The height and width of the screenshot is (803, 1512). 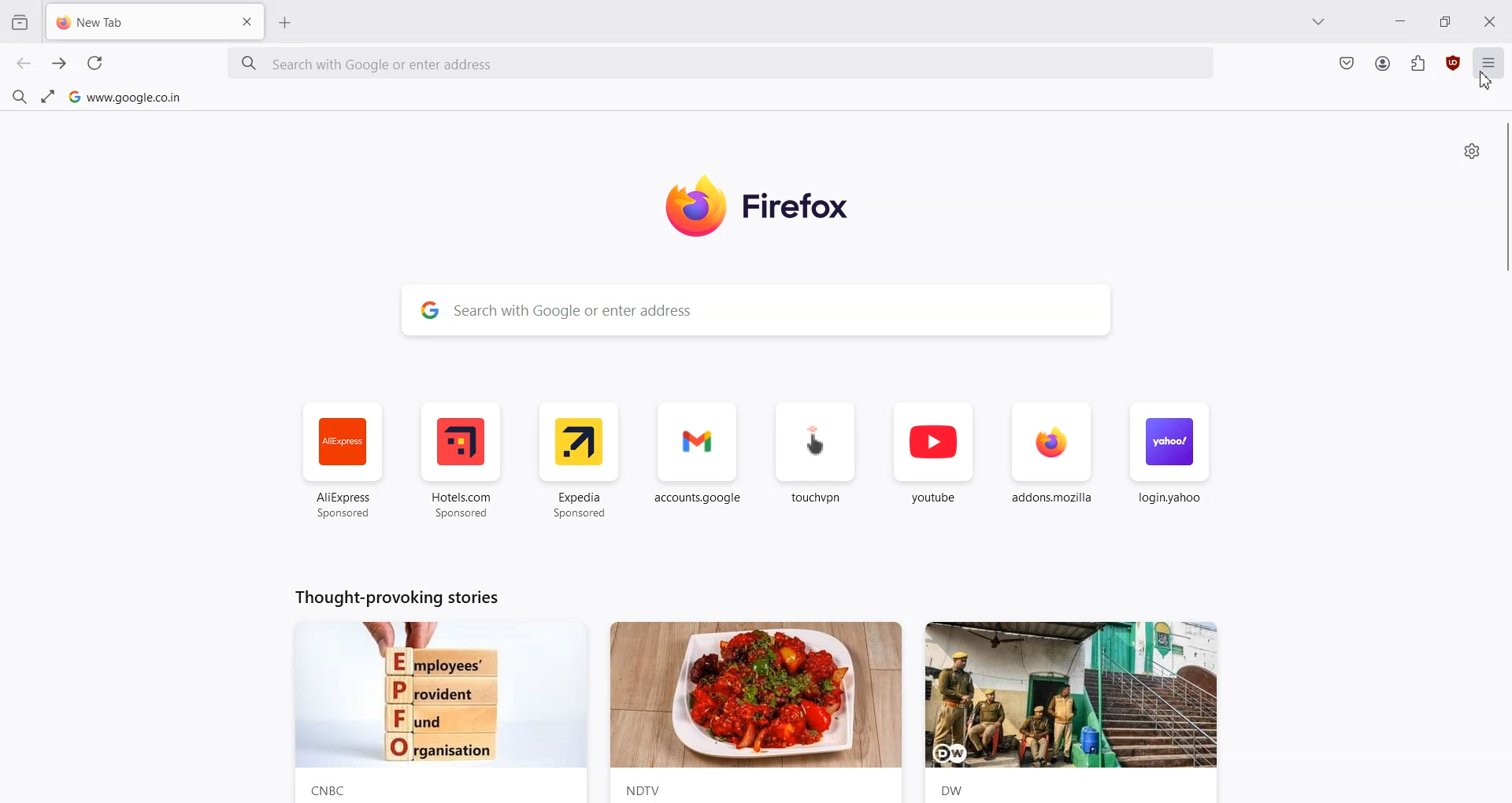 I want to click on Search bar, so click(x=721, y=65).